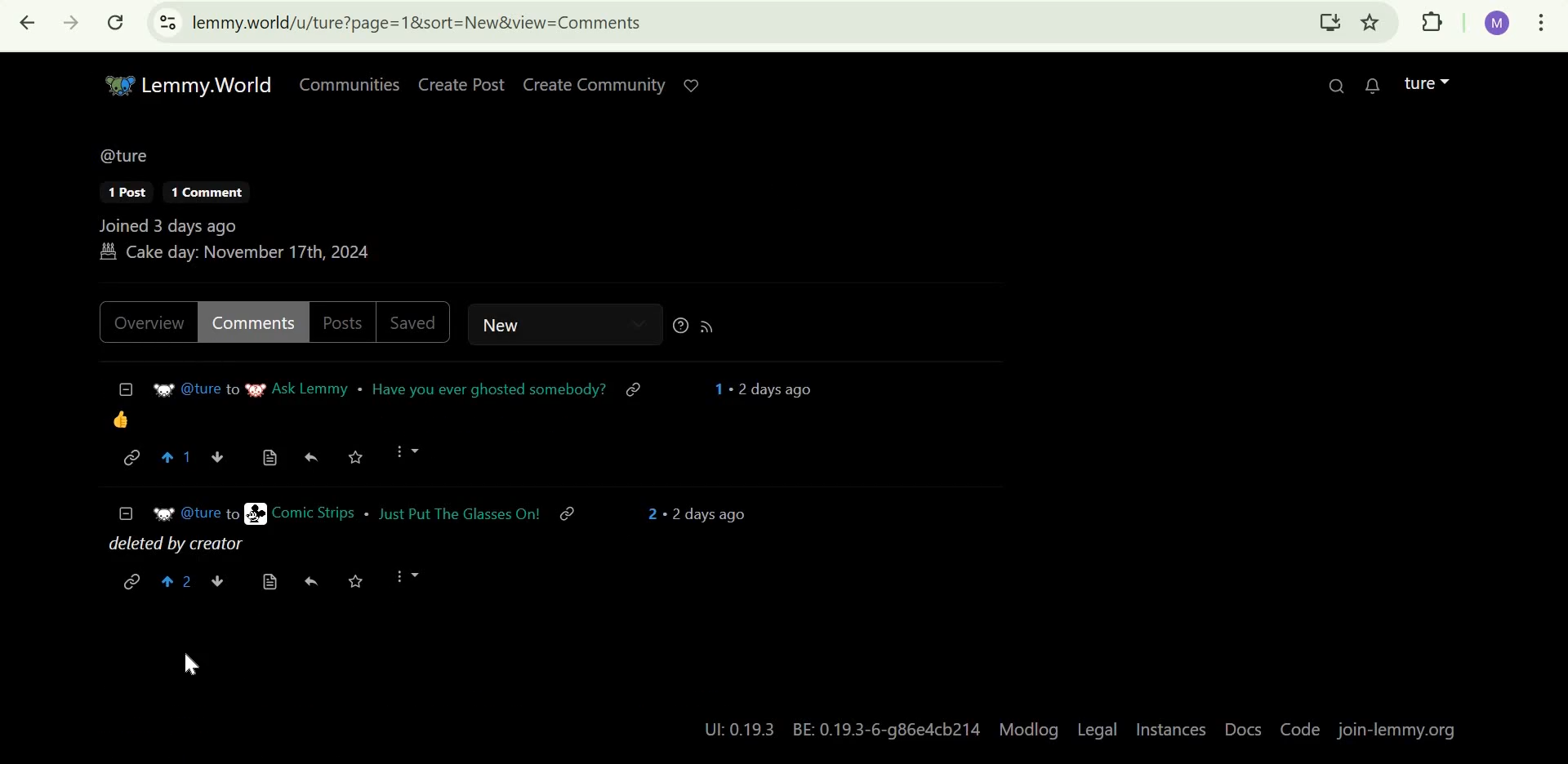 This screenshot has height=764, width=1568. Describe the element at coordinates (1243, 728) in the screenshot. I see `docs` at that location.